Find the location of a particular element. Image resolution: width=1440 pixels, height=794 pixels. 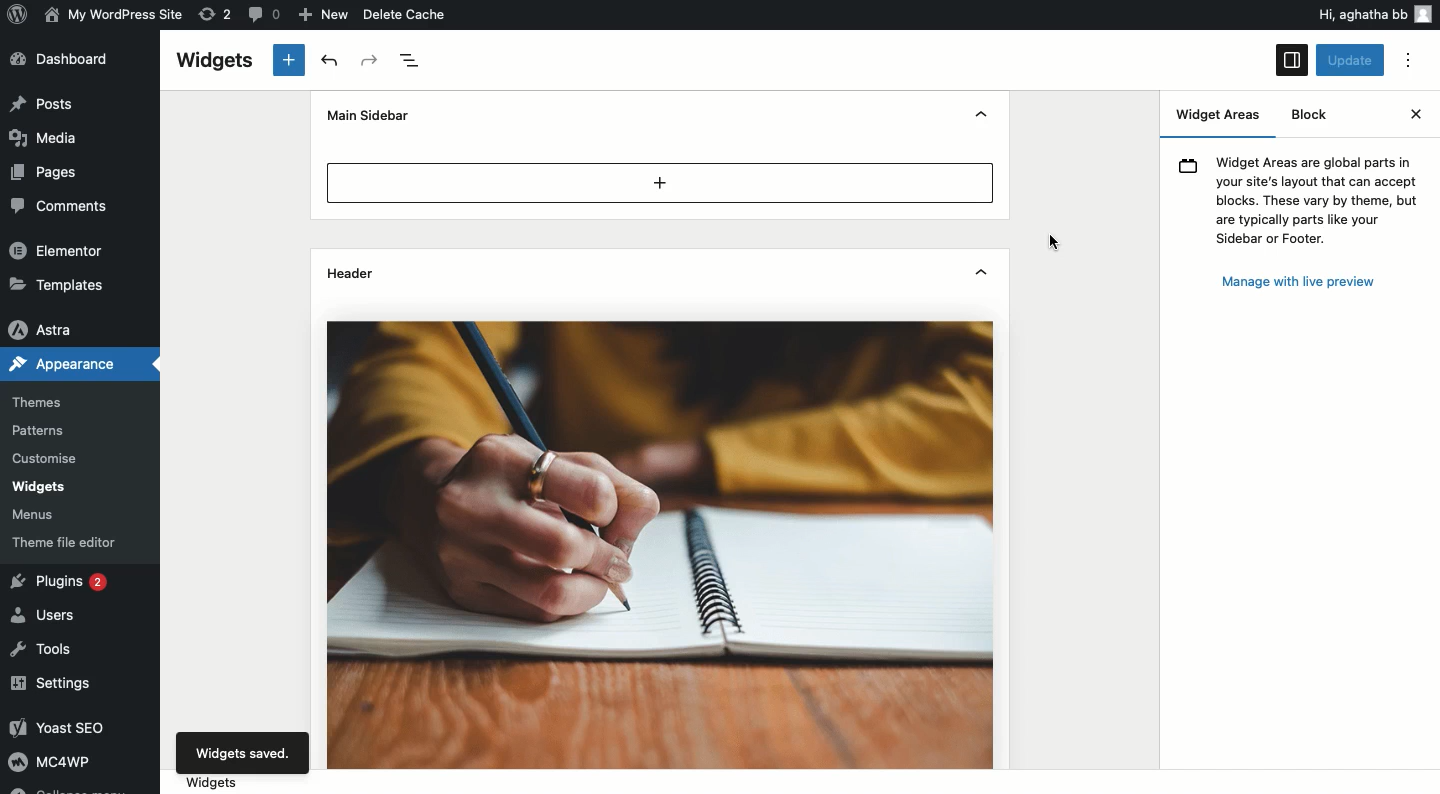

Templates is located at coordinates (60, 283).